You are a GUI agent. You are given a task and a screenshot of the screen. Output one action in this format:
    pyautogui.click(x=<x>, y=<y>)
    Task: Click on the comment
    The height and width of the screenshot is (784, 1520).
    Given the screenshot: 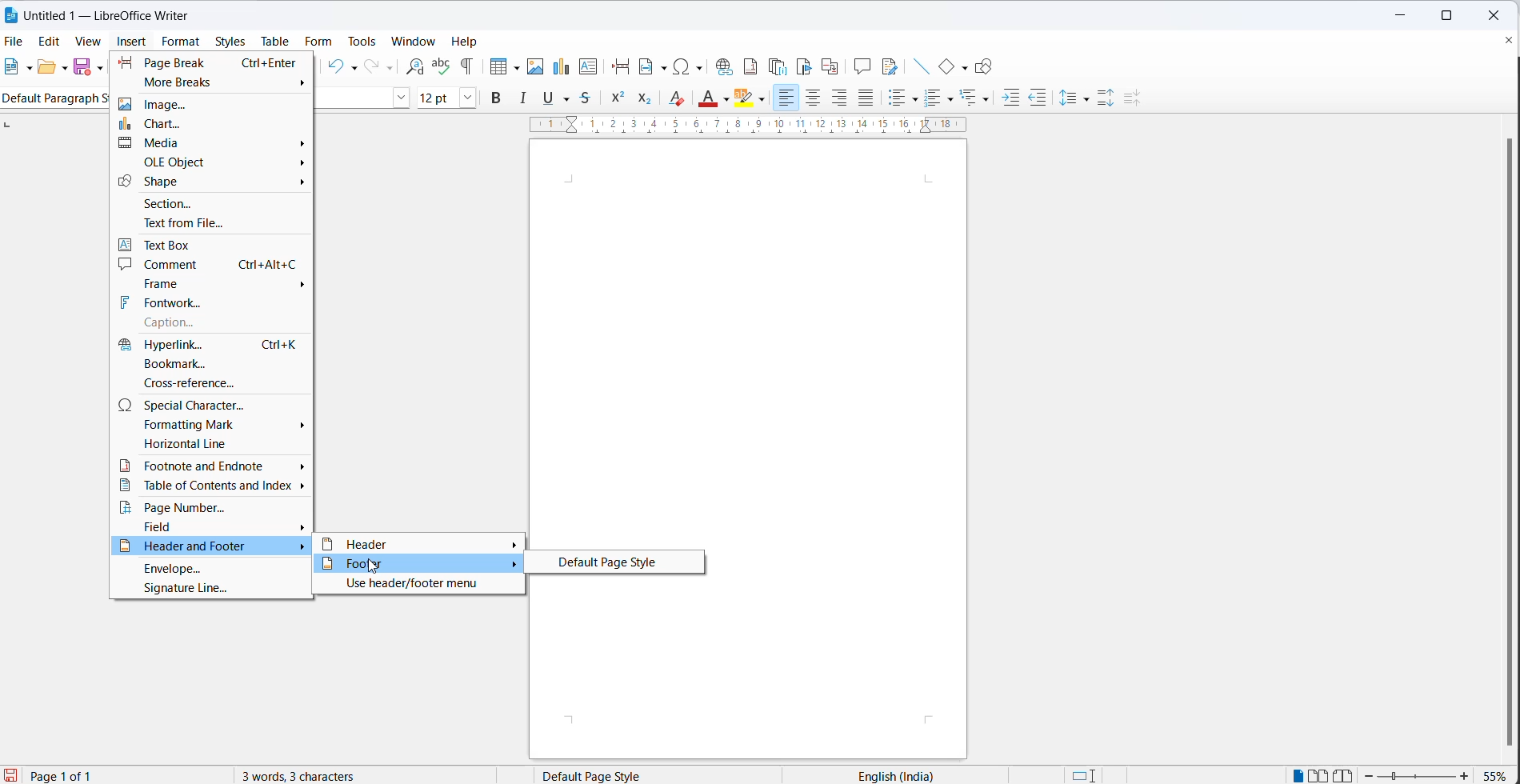 What is the action you would take?
    pyautogui.click(x=205, y=265)
    